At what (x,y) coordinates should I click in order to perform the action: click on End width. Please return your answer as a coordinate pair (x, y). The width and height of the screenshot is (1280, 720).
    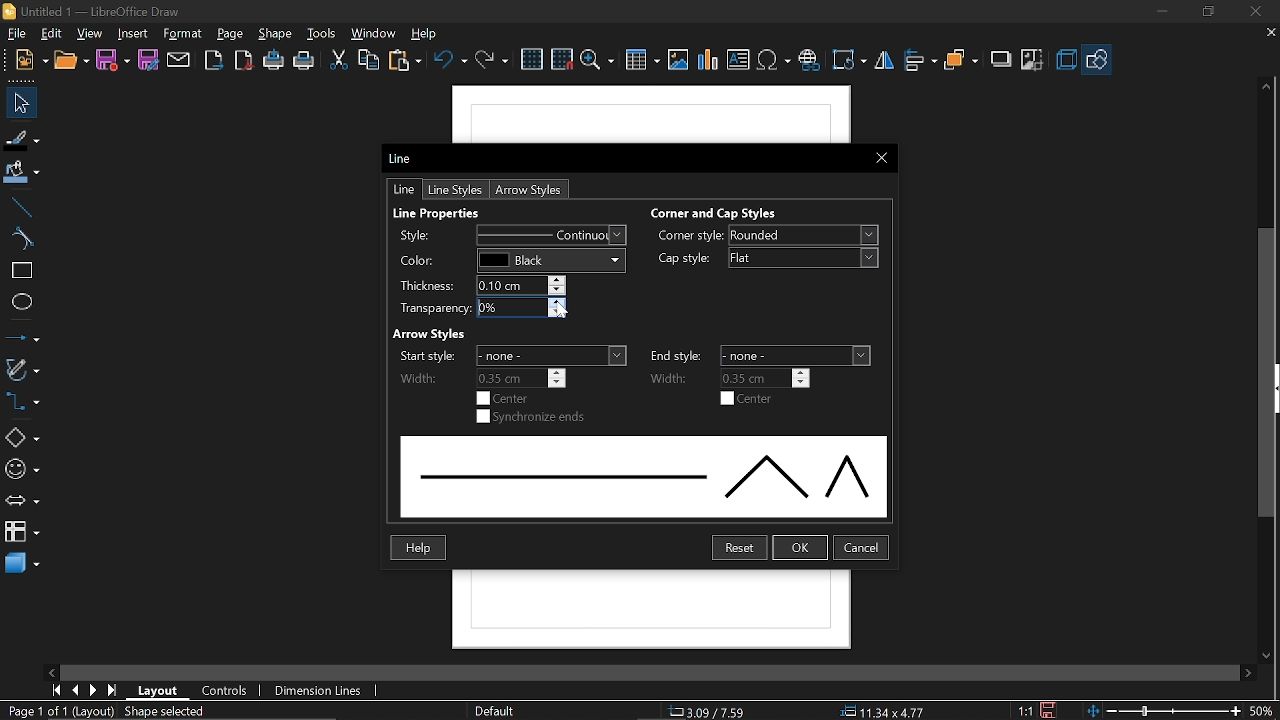
    Looking at the image, I should click on (728, 379).